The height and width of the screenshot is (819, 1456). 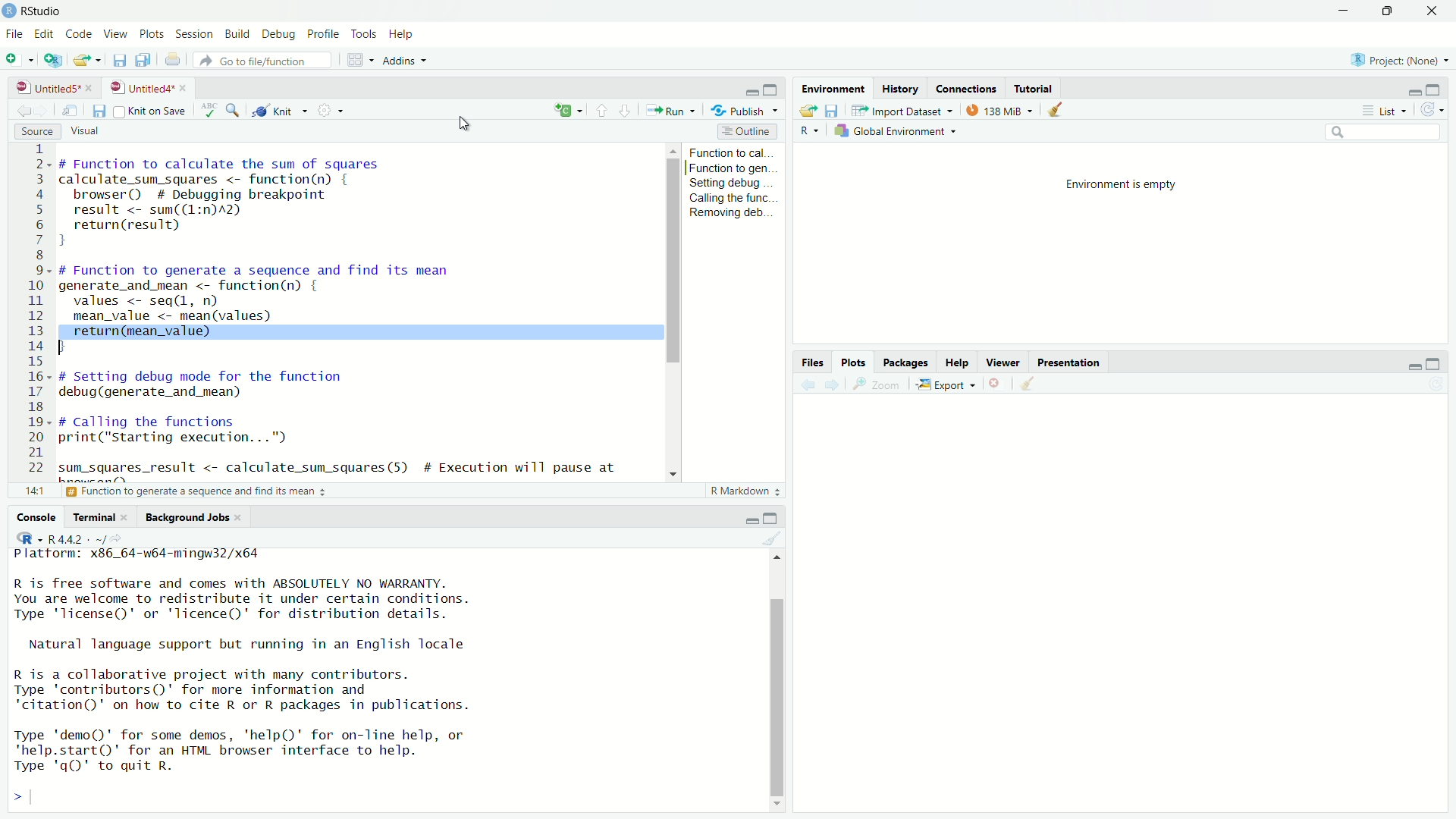 What do you see at coordinates (23, 538) in the screenshot?
I see `language select` at bounding box center [23, 538].